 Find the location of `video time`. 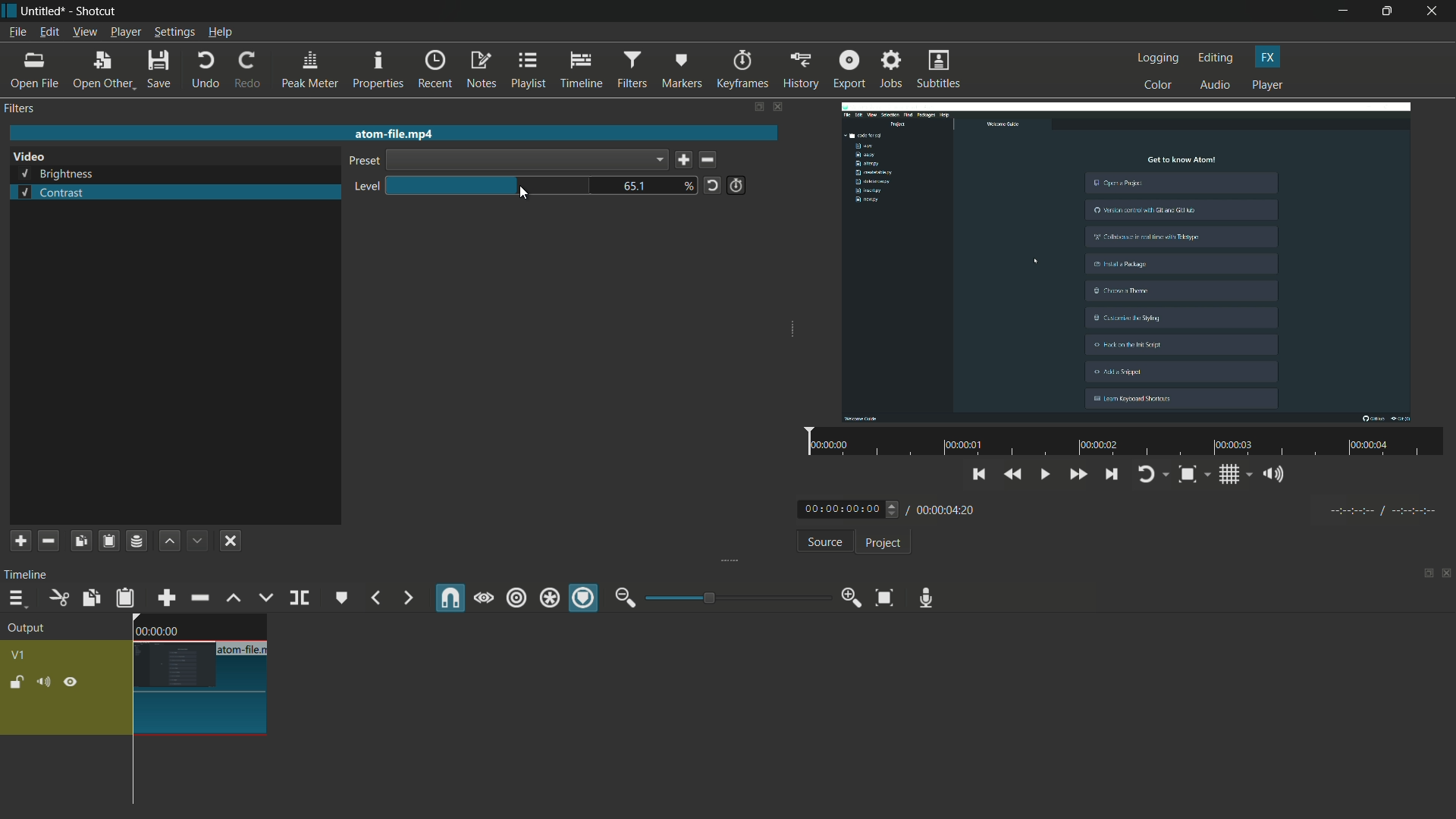

video time is located at coordinates (1122, 443).